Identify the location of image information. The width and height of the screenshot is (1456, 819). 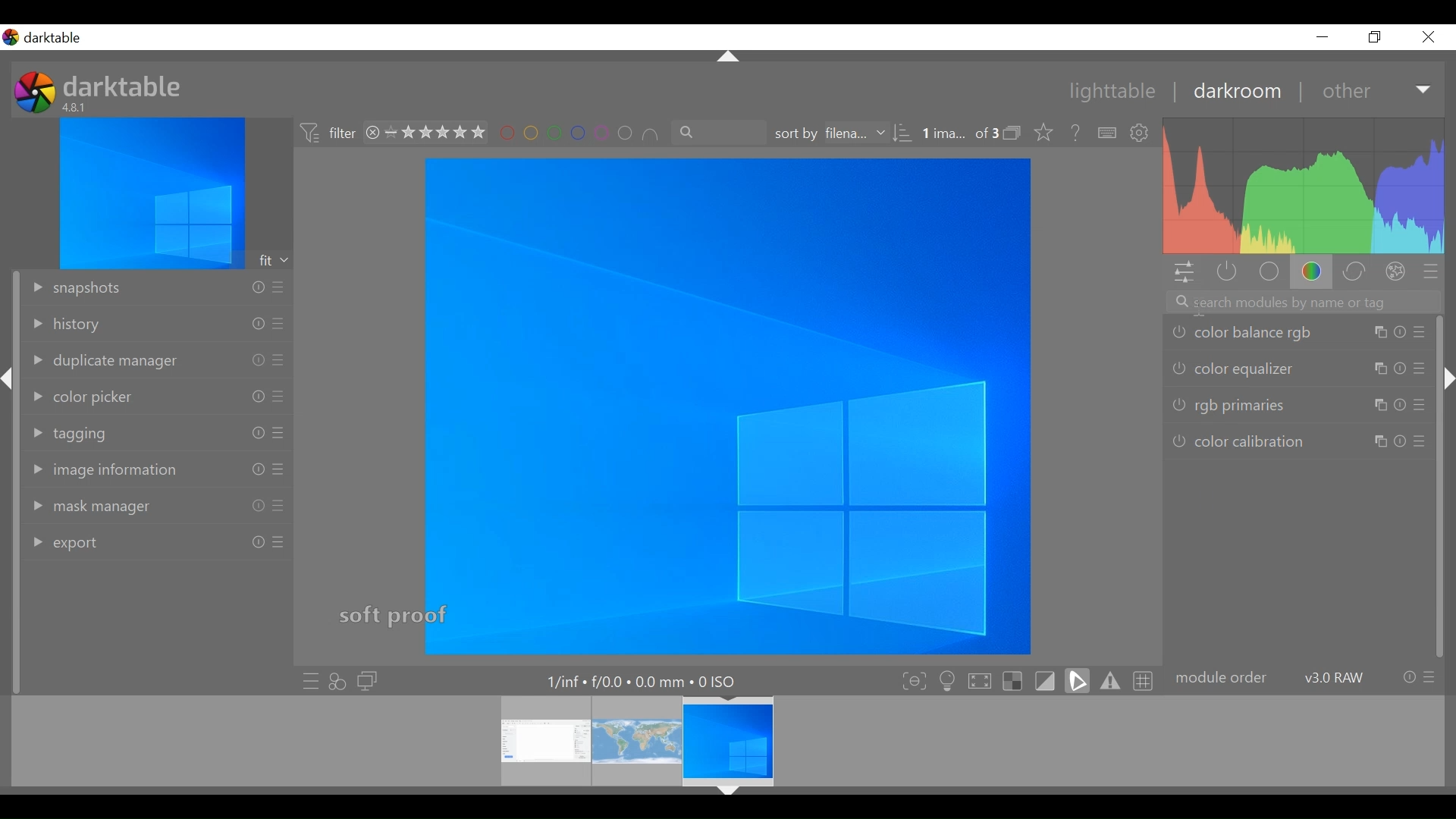
(106, 469).